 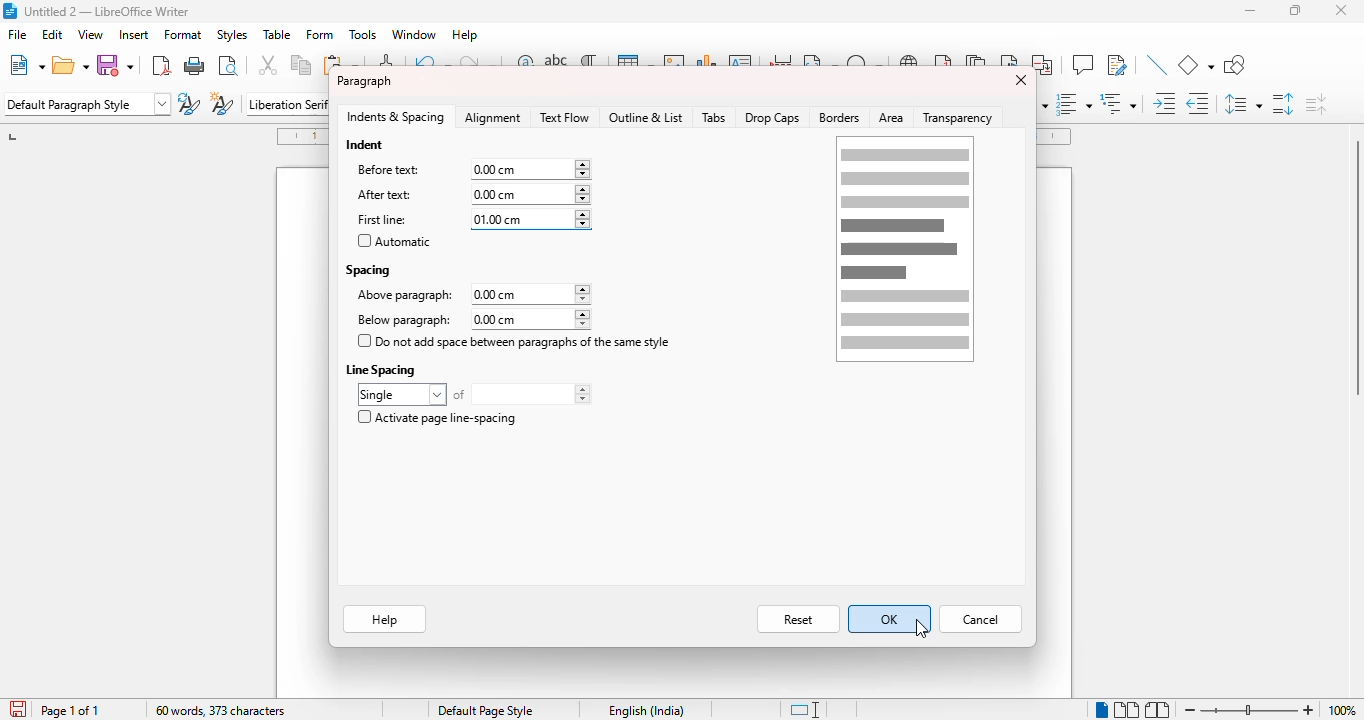 What do you see at coordinates (223, 103) in the screenshot?
I see `new style from selection` at bounding box center [223, 103].